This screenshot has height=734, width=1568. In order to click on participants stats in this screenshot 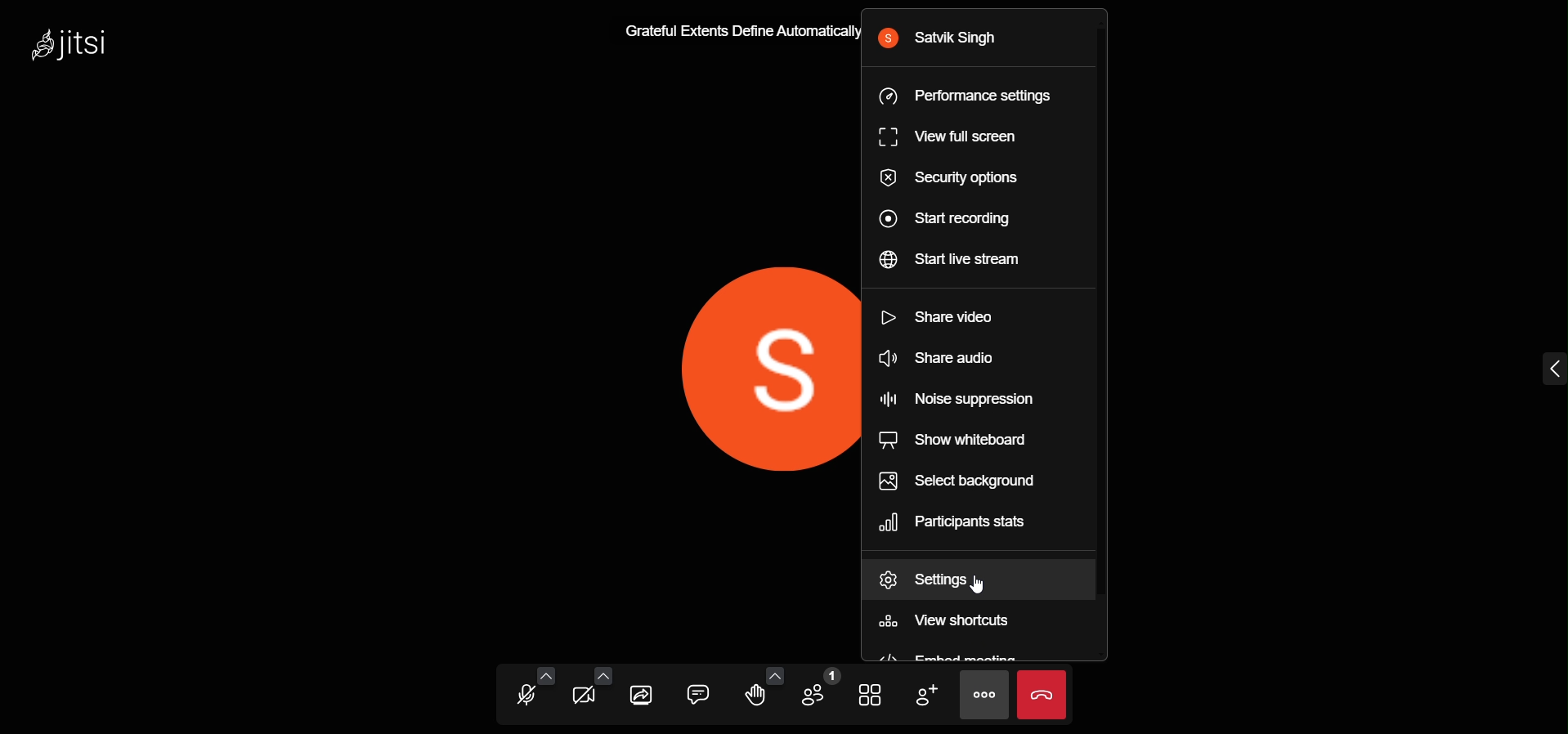, I will do `click(958, 524)`.